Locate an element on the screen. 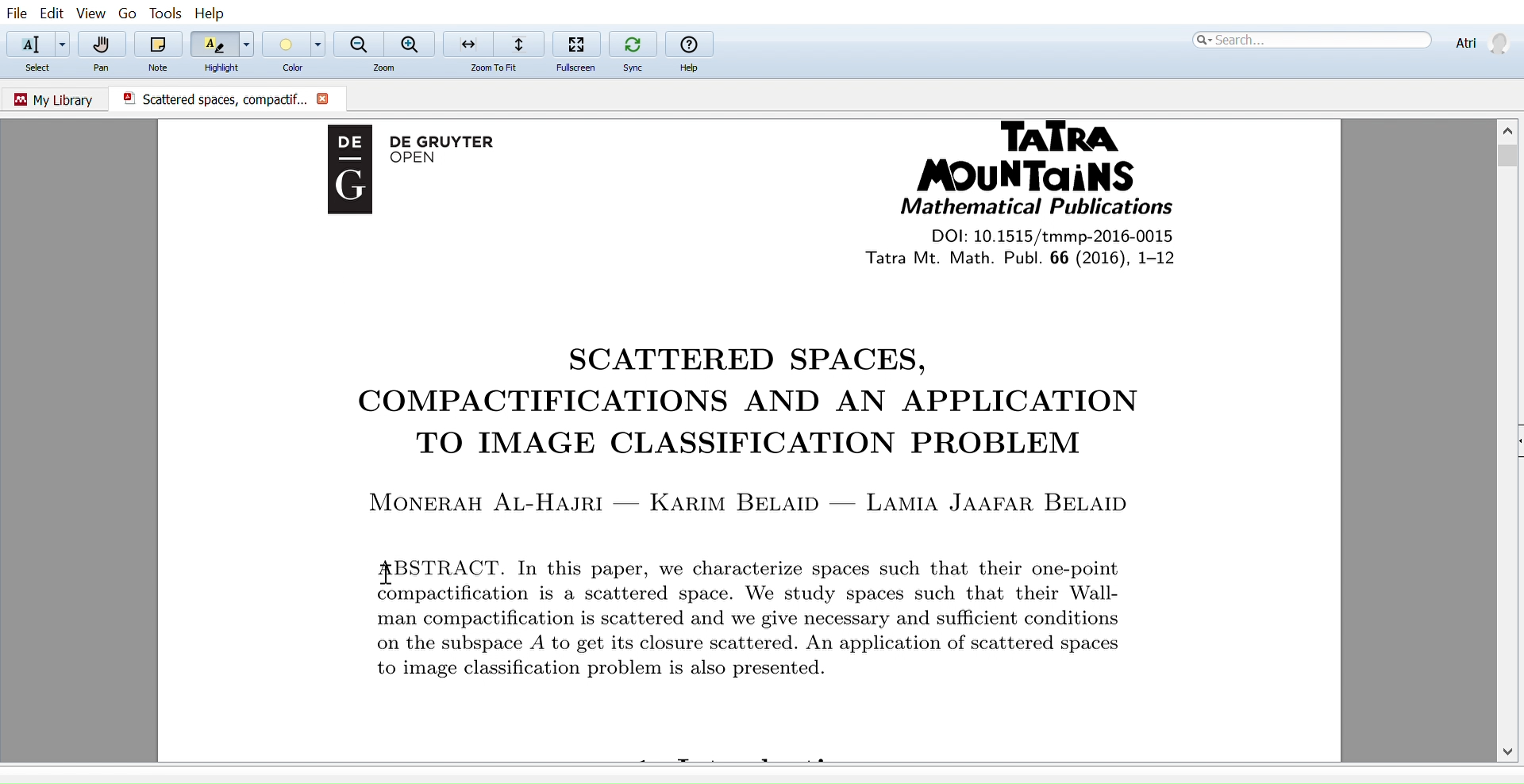 Image resolution: width=1524 pixels, height=784 pixels. Fullscreen is located at coordinates (572, 68).